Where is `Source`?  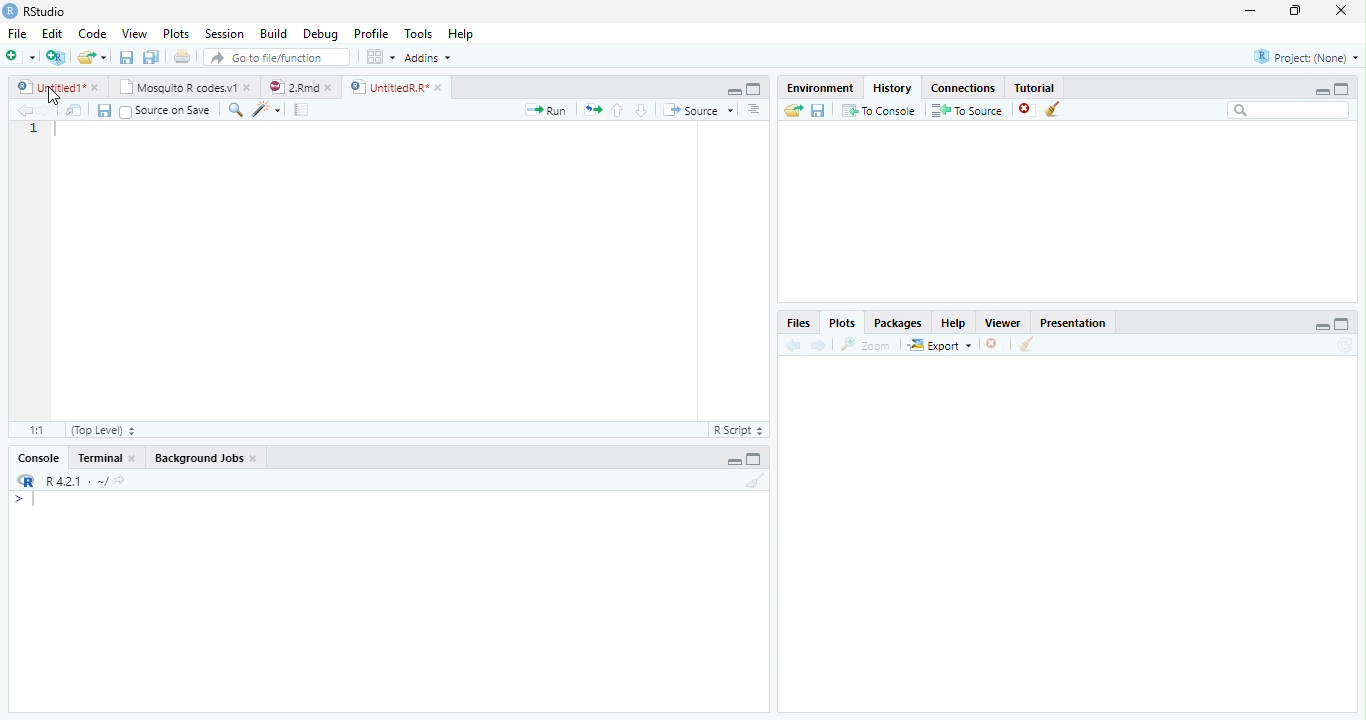
Source is located at coordinates (699, 111).